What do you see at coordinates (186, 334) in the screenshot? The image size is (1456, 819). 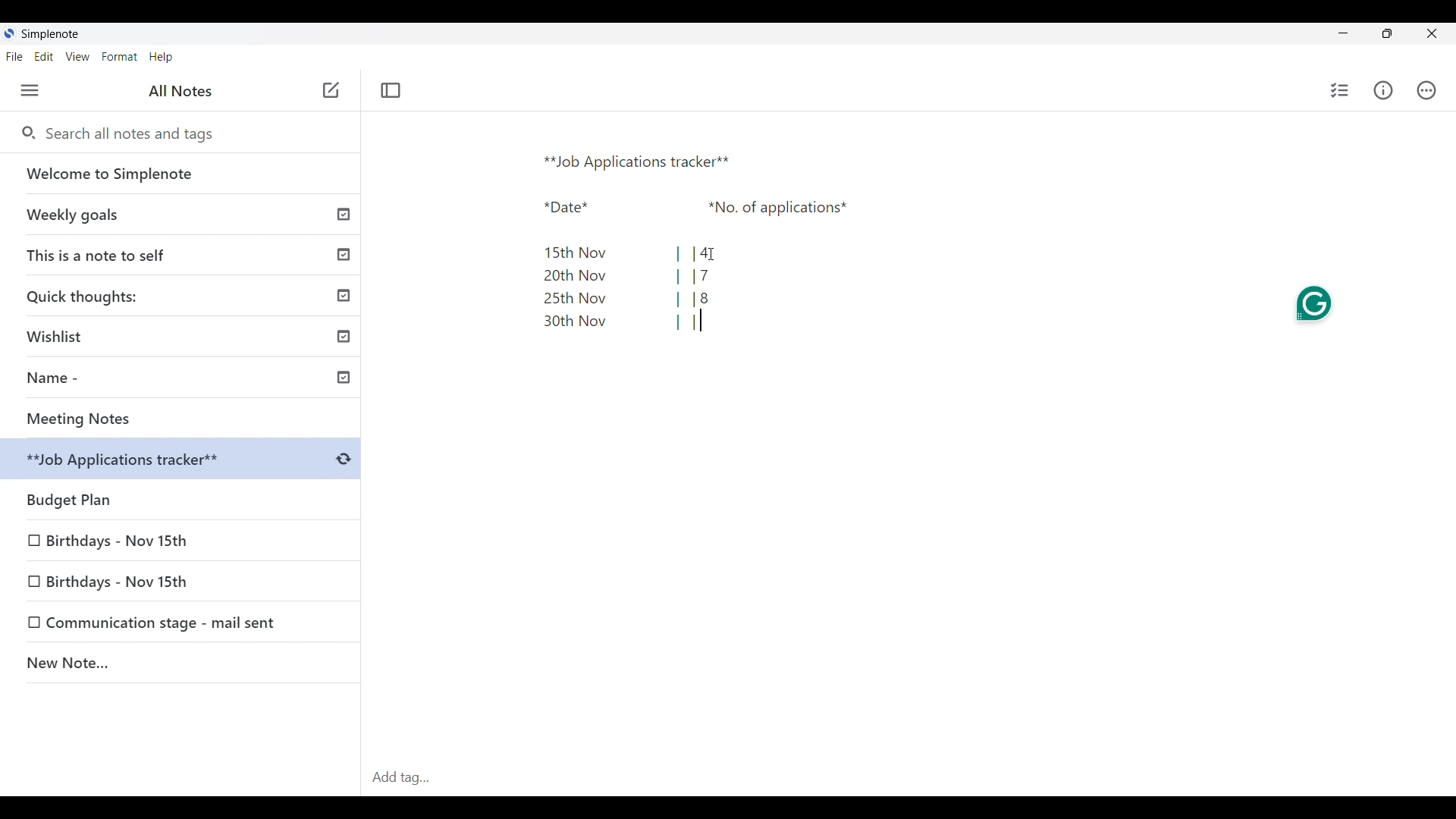 I see `Wishlist` at bounding box center [186, 334].